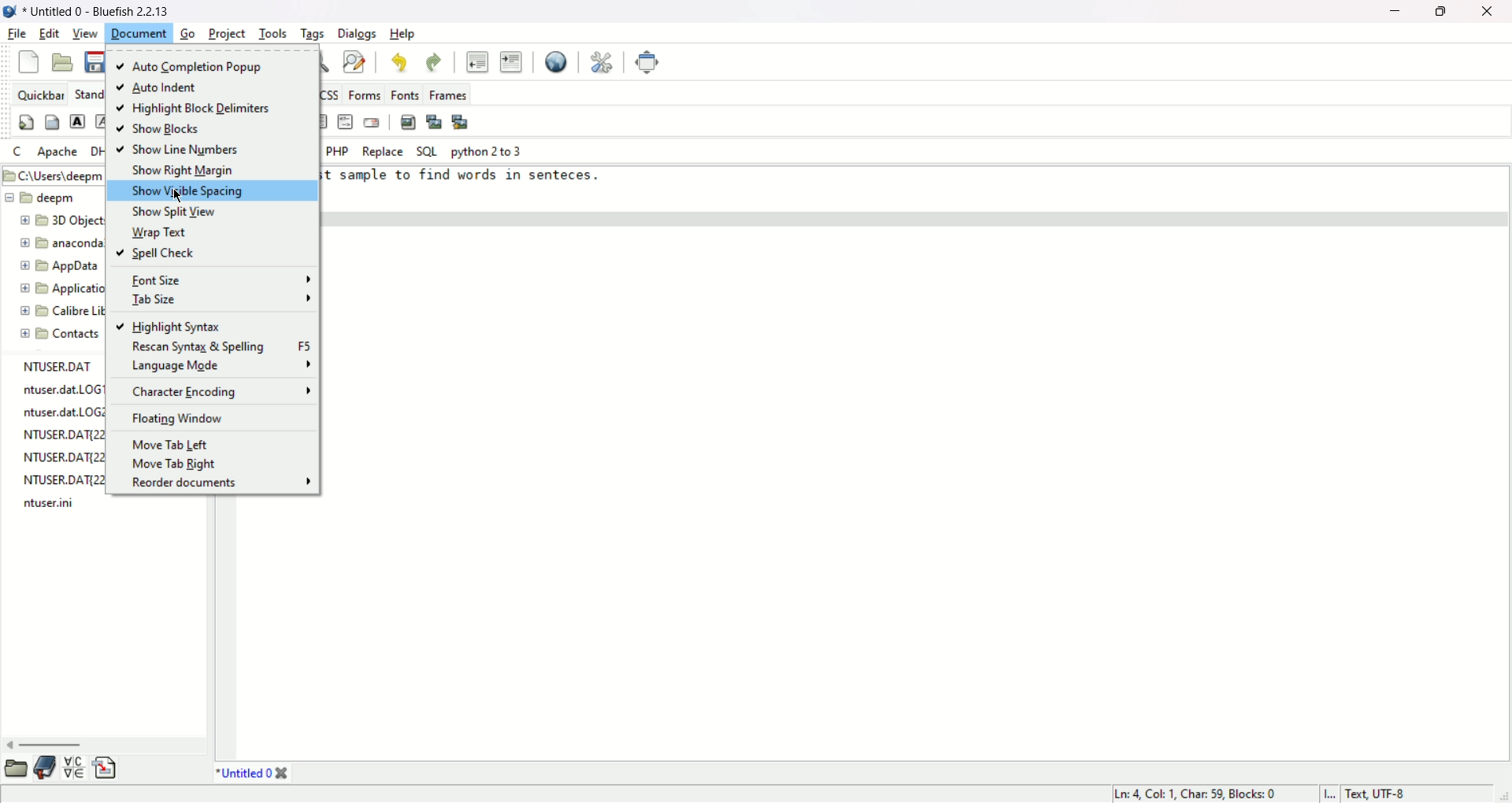 The image size is (1512, 803). What do you see at coordinates (401, 35) in the screenshot?
I see `help` at bounding box center [401, 35].